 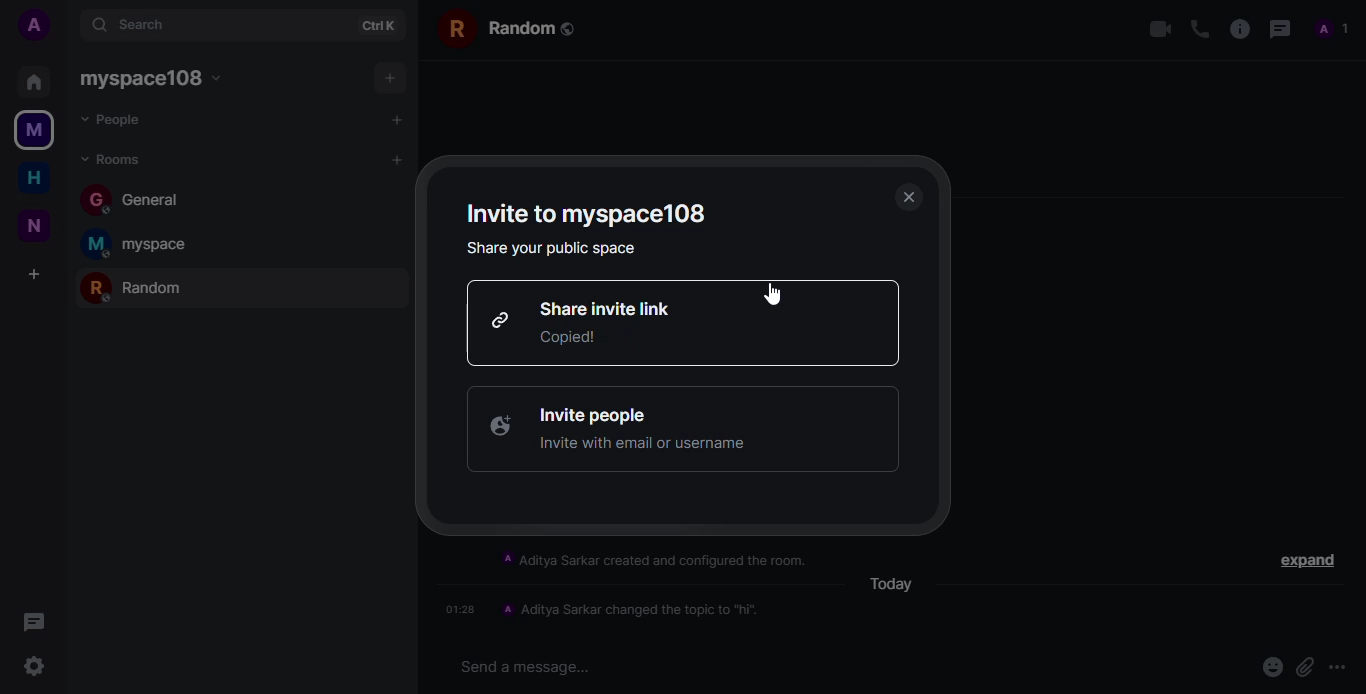 What do you see at coordinates (646, 559) in the screenshot?
I see `‘A Aditya Sarkar created and configured the room.` at bounding box center [646, 559].